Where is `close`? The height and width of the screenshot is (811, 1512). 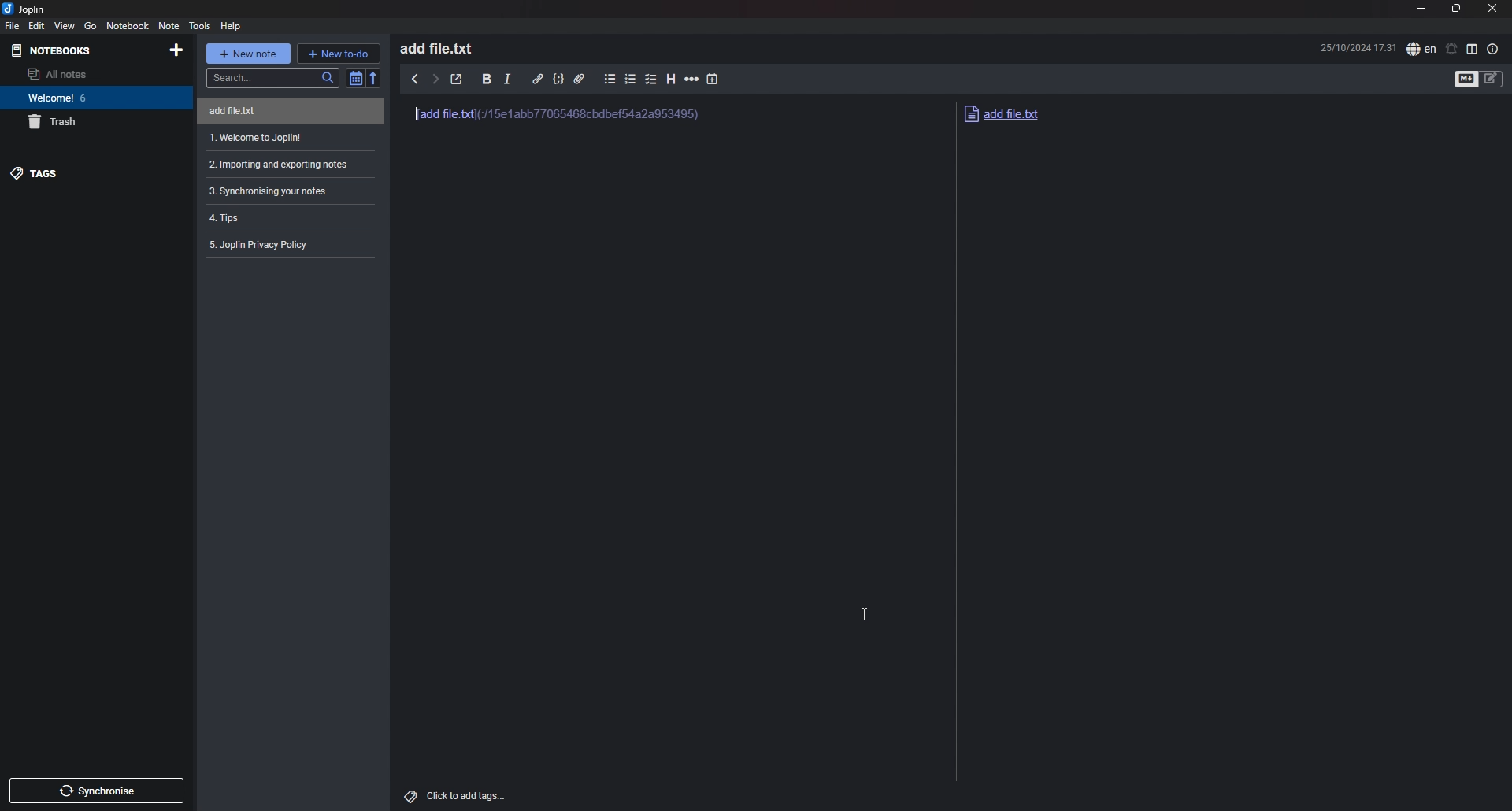 close is located at coordinates (1493, 8).